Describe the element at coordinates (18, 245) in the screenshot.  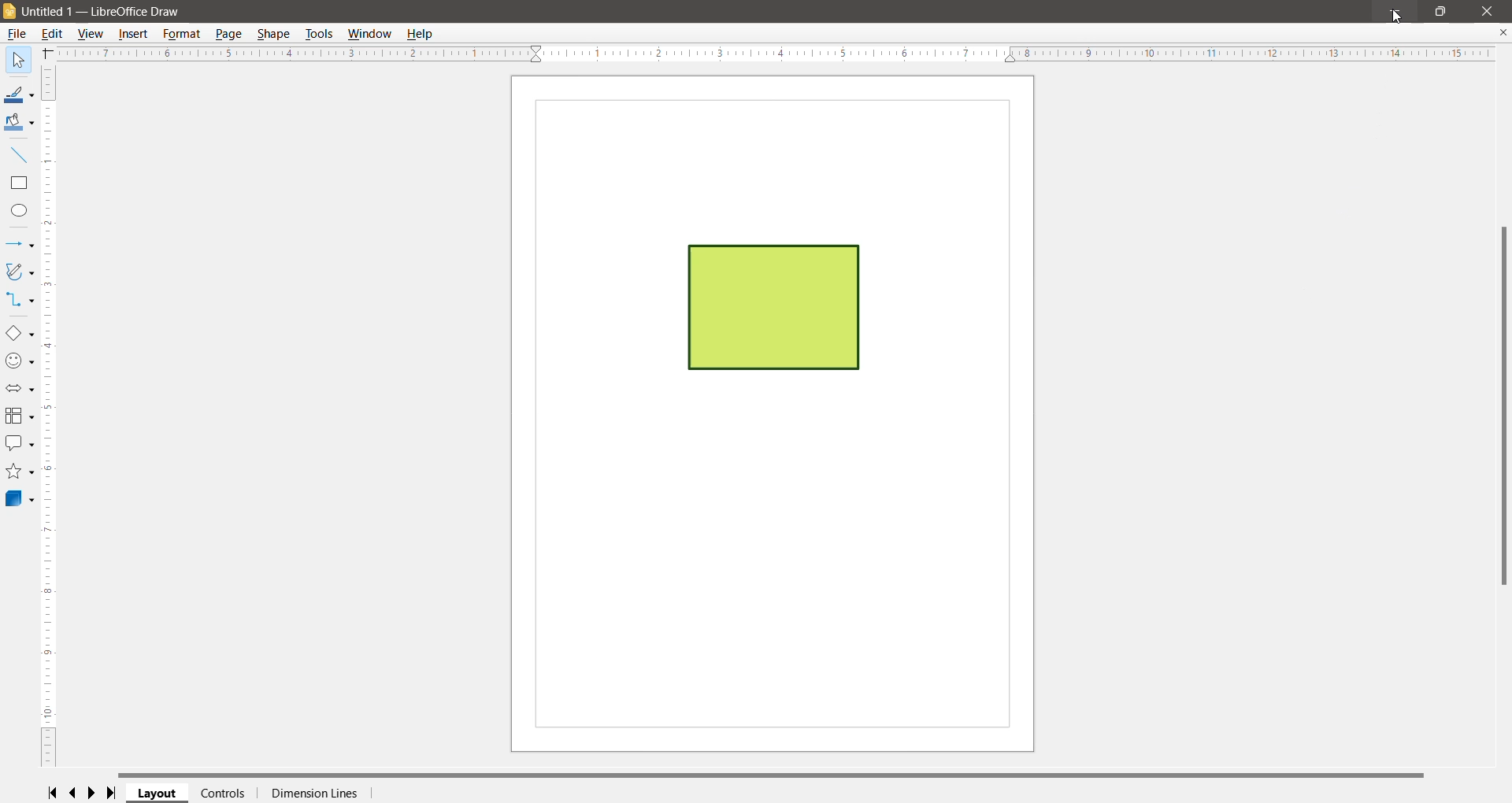
I see `Lines and Arrows` at that location.